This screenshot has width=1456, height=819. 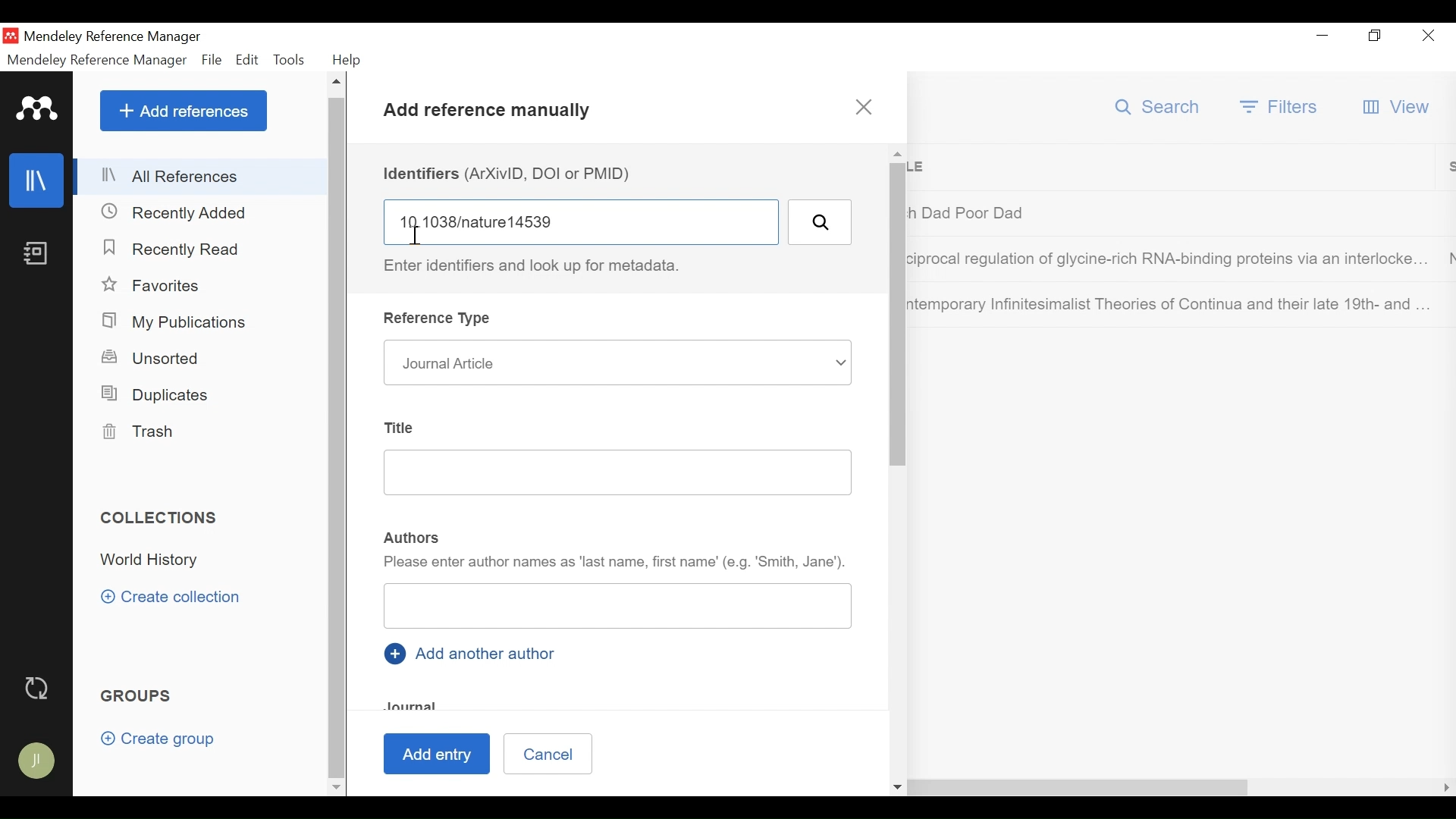 I want to click on Title Field, so click(x=618, y=472).